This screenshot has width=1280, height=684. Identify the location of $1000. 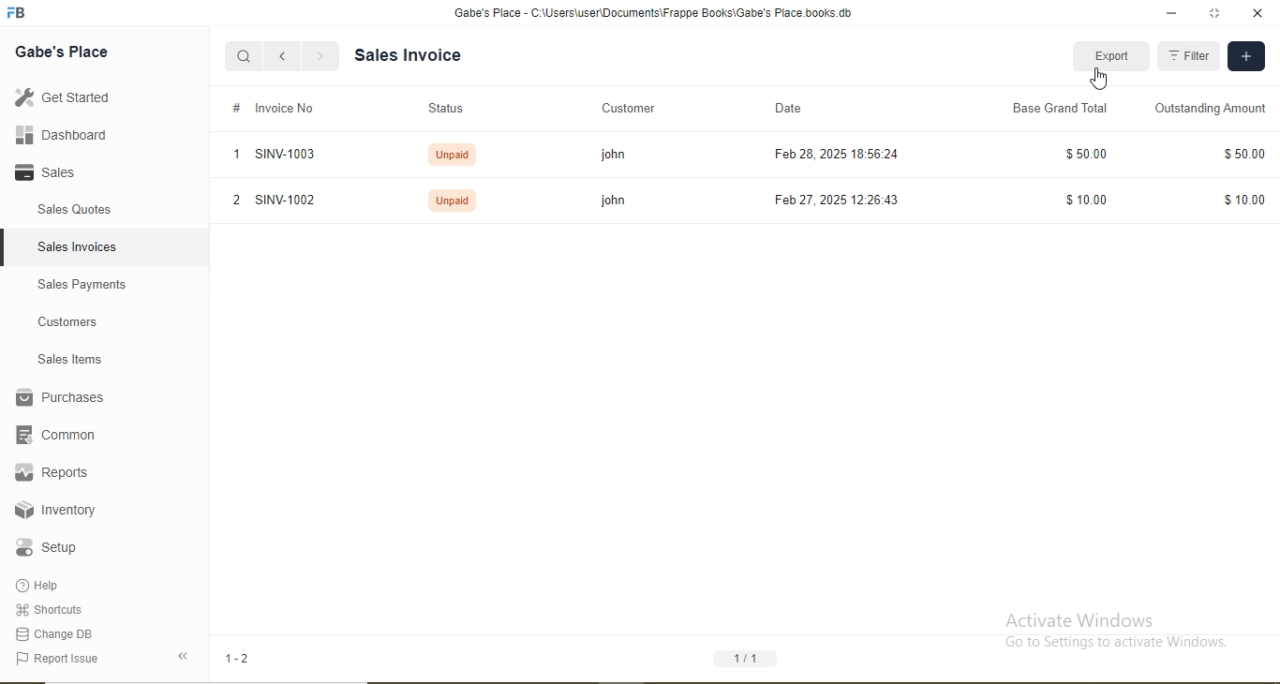
(1246, 200).